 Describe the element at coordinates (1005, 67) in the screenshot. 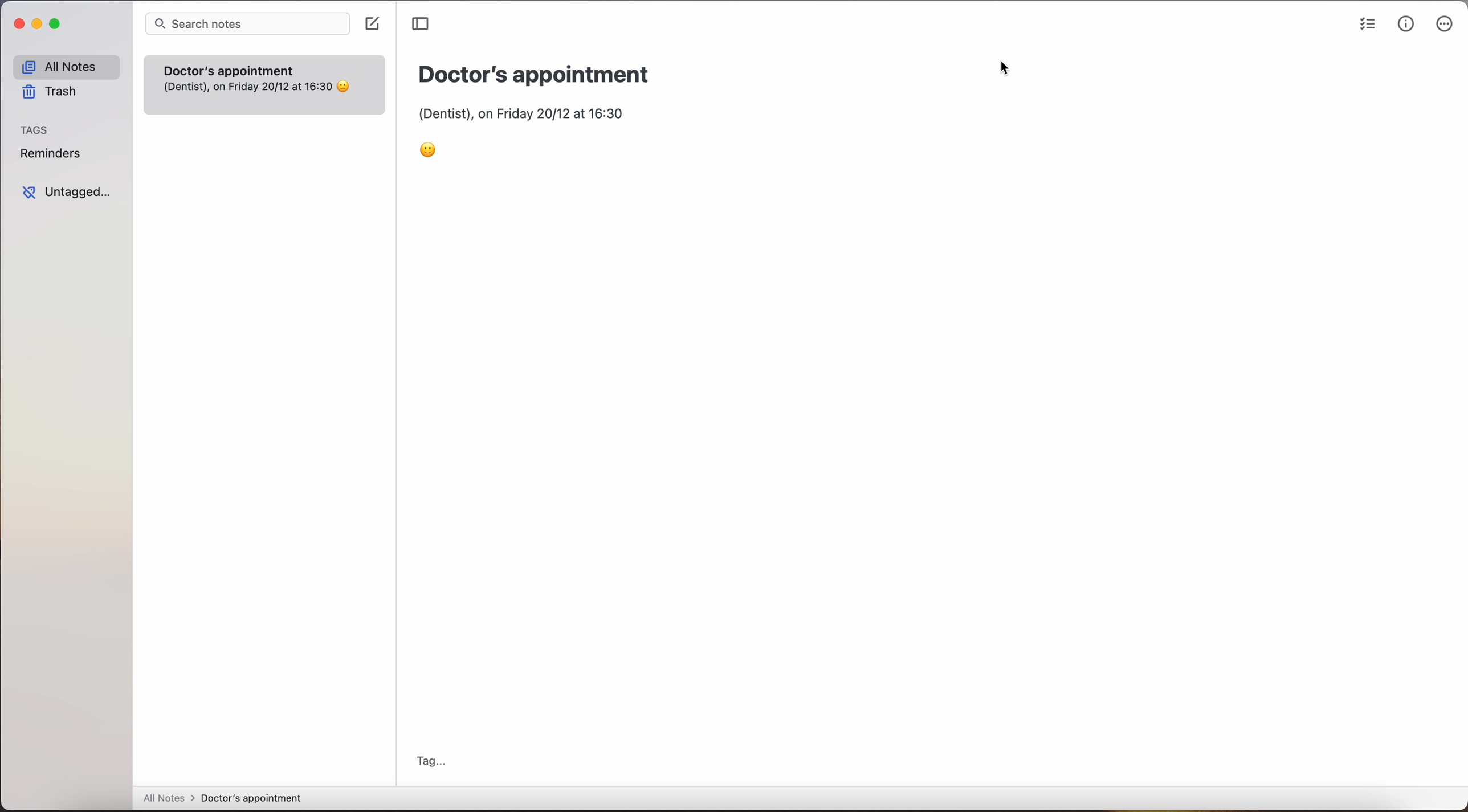

I see `cursor` at that location.